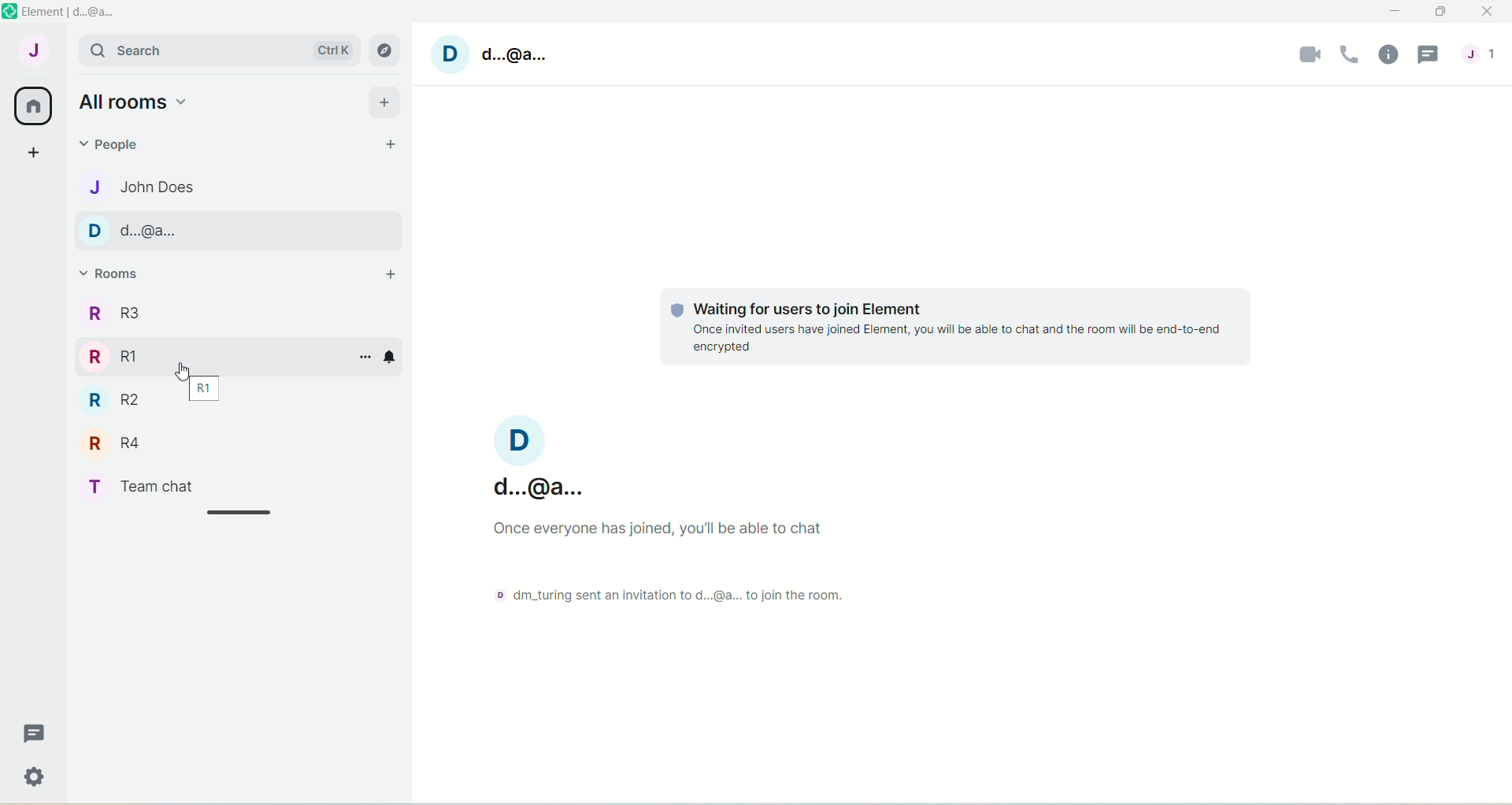 The width and height of the screenshot is (1512, 805). What do you see at coordinates (384, 51) in the screenshot?
I see `explore rooms` at bounding box center [384, 51].